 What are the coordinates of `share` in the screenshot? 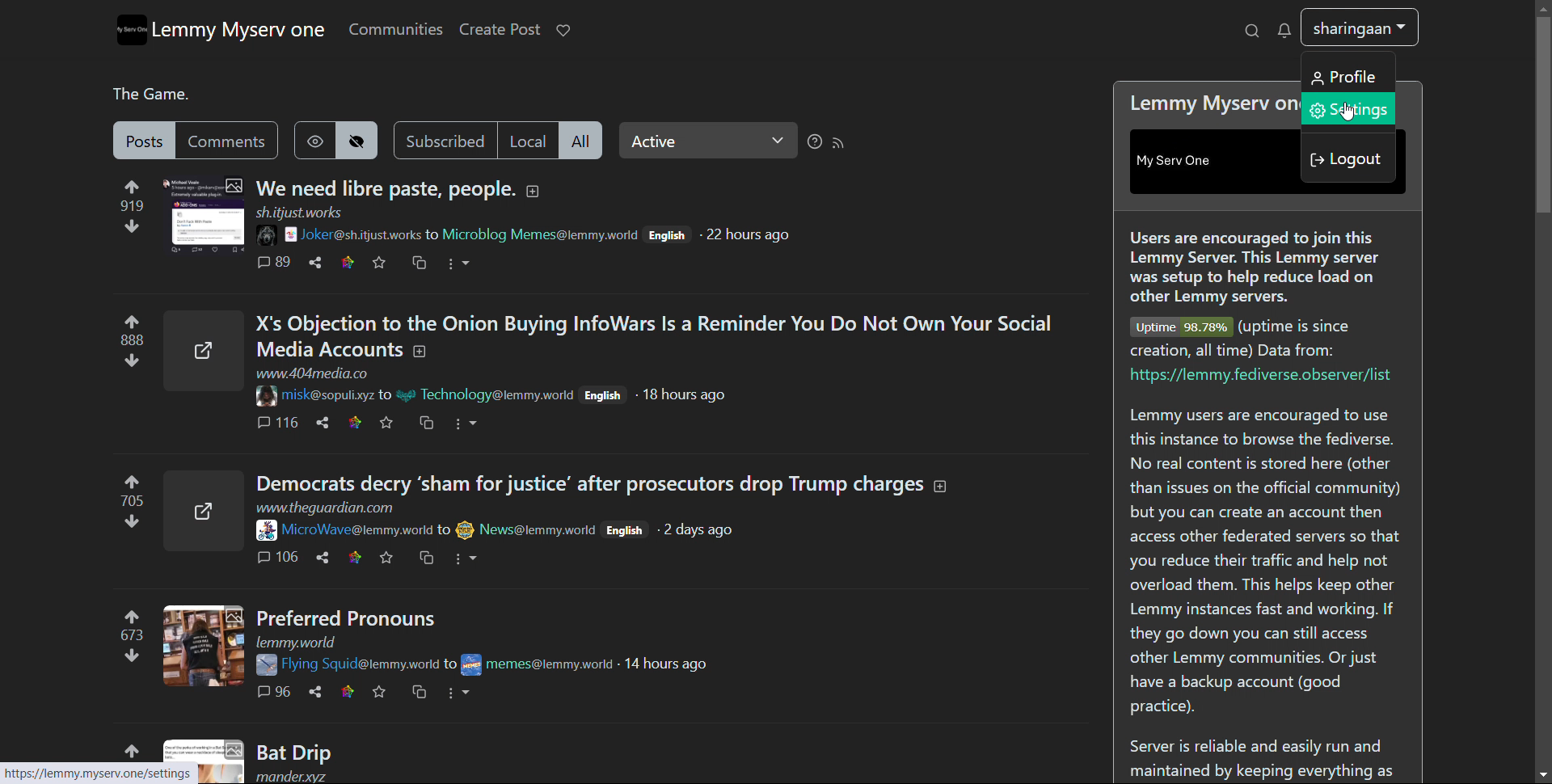 It's located at (315, 263).